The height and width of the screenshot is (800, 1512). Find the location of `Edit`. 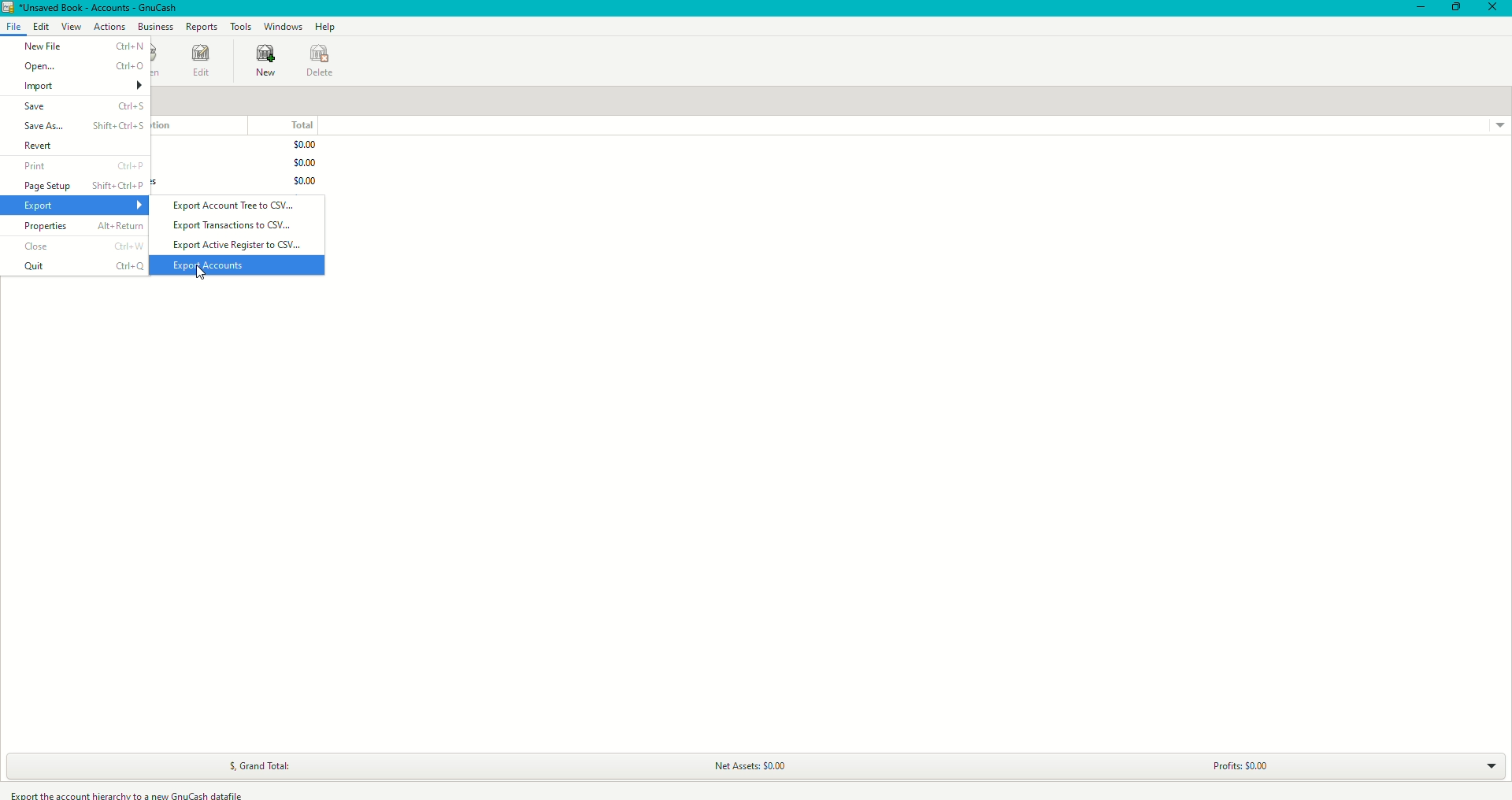

Edit is located at coordinates (40, 26).